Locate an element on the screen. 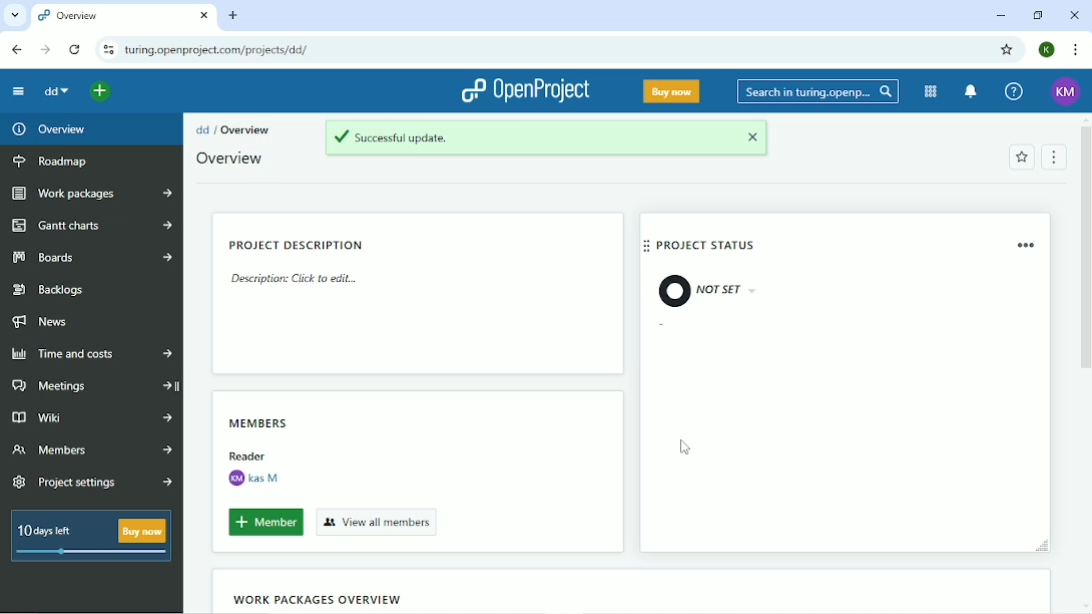 The height and width of the screenshot is (614, 1092). Search is located at coordinates (818, 93).